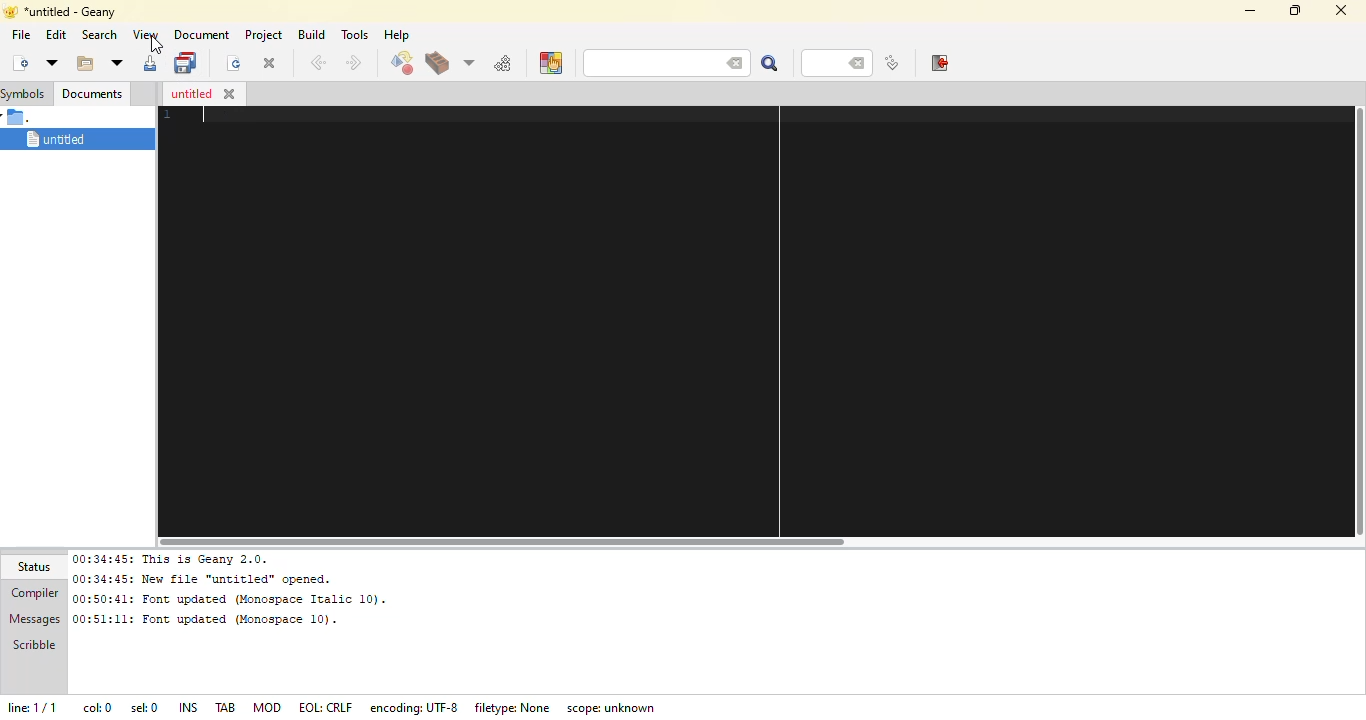 The image size is (1366, 720). What do you see at coordinates (417, 707) in the screenshot?
I see `encoding: UTF- 8` at bounding box center [417, 707].